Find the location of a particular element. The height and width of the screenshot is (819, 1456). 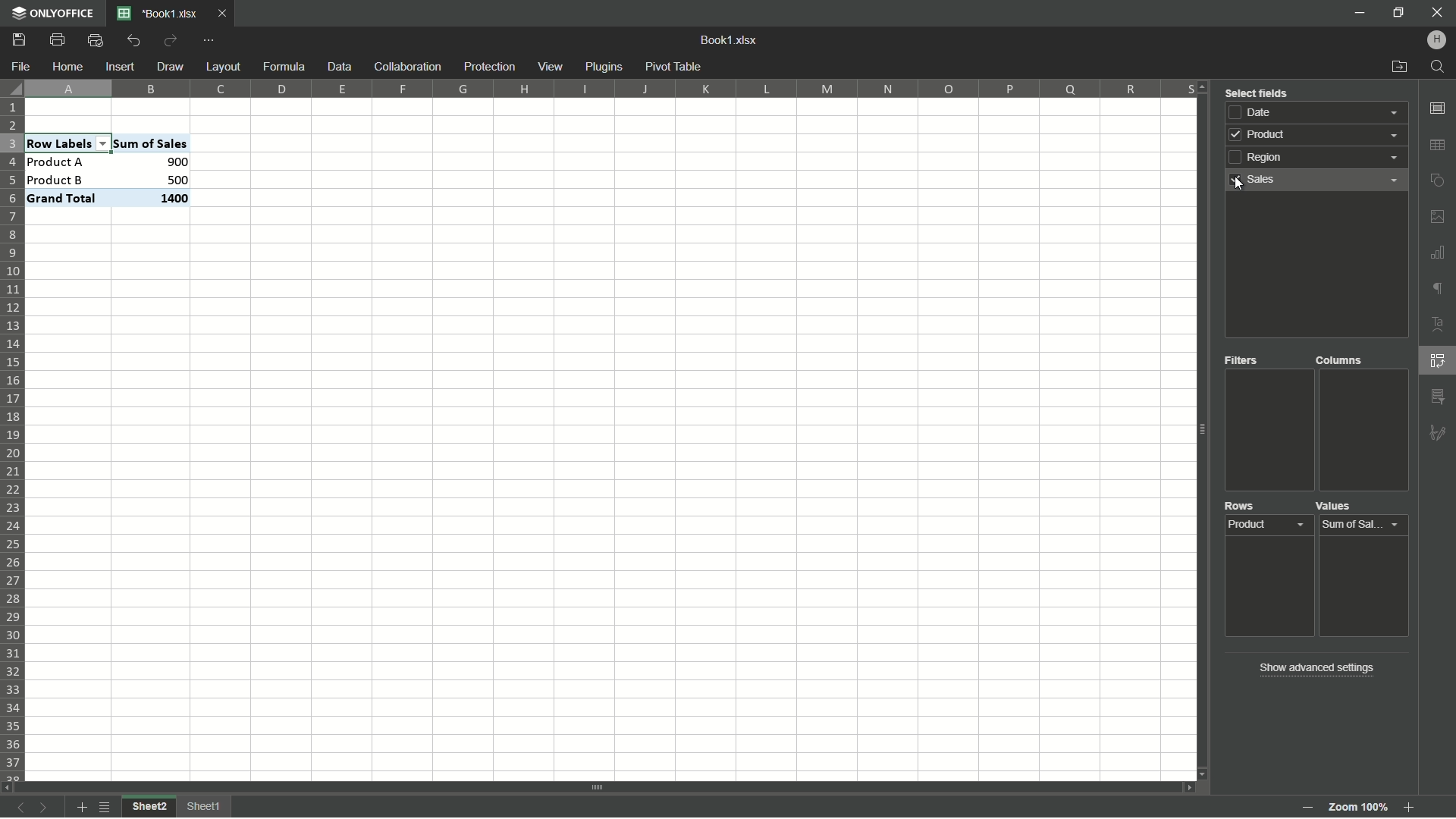

Formula is located at coordinates (283, 67).